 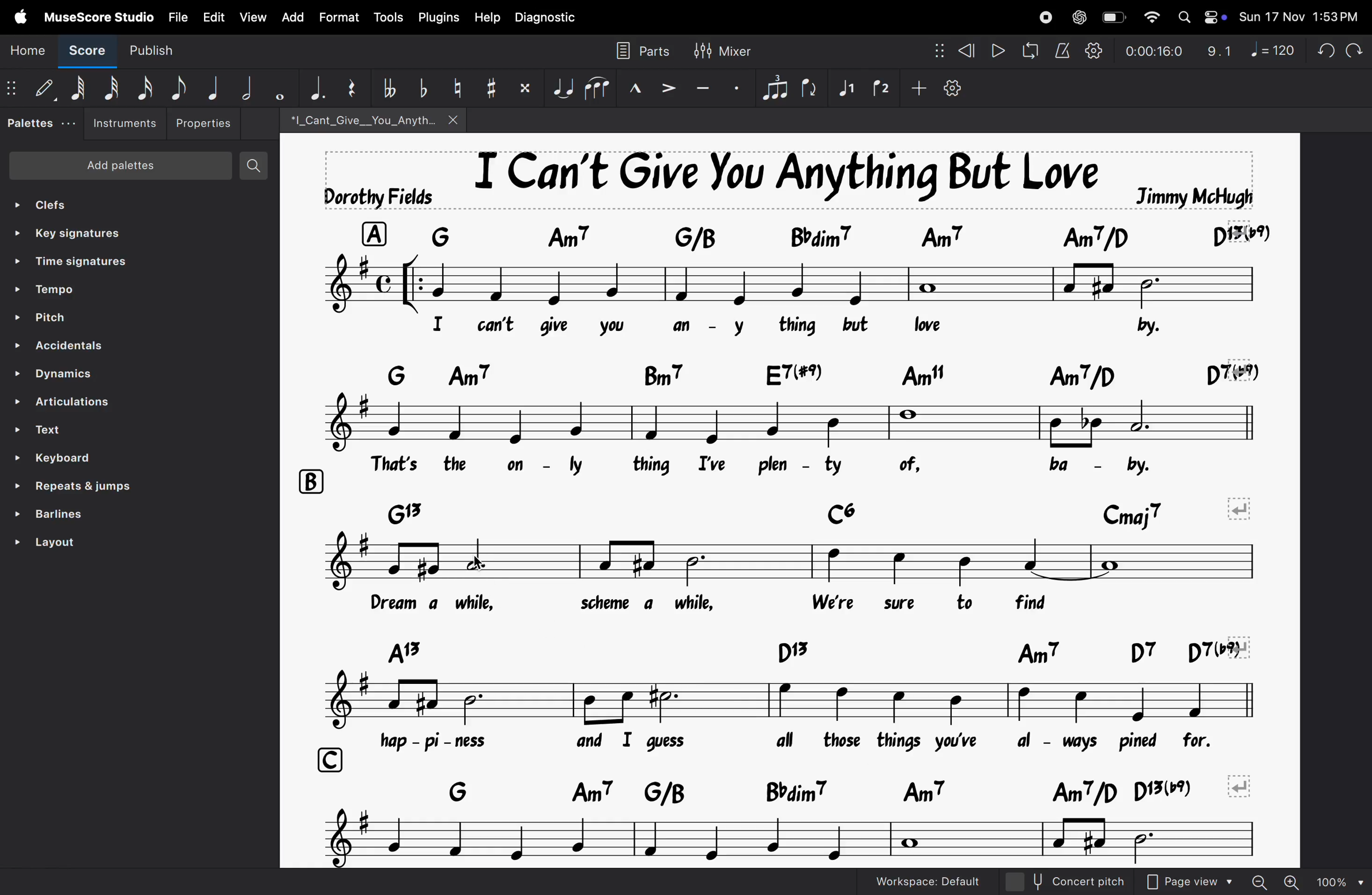 What do you see at coordinates (54, 318) in the screenshot?
I see `pitch` at bounding box center [54, 318].